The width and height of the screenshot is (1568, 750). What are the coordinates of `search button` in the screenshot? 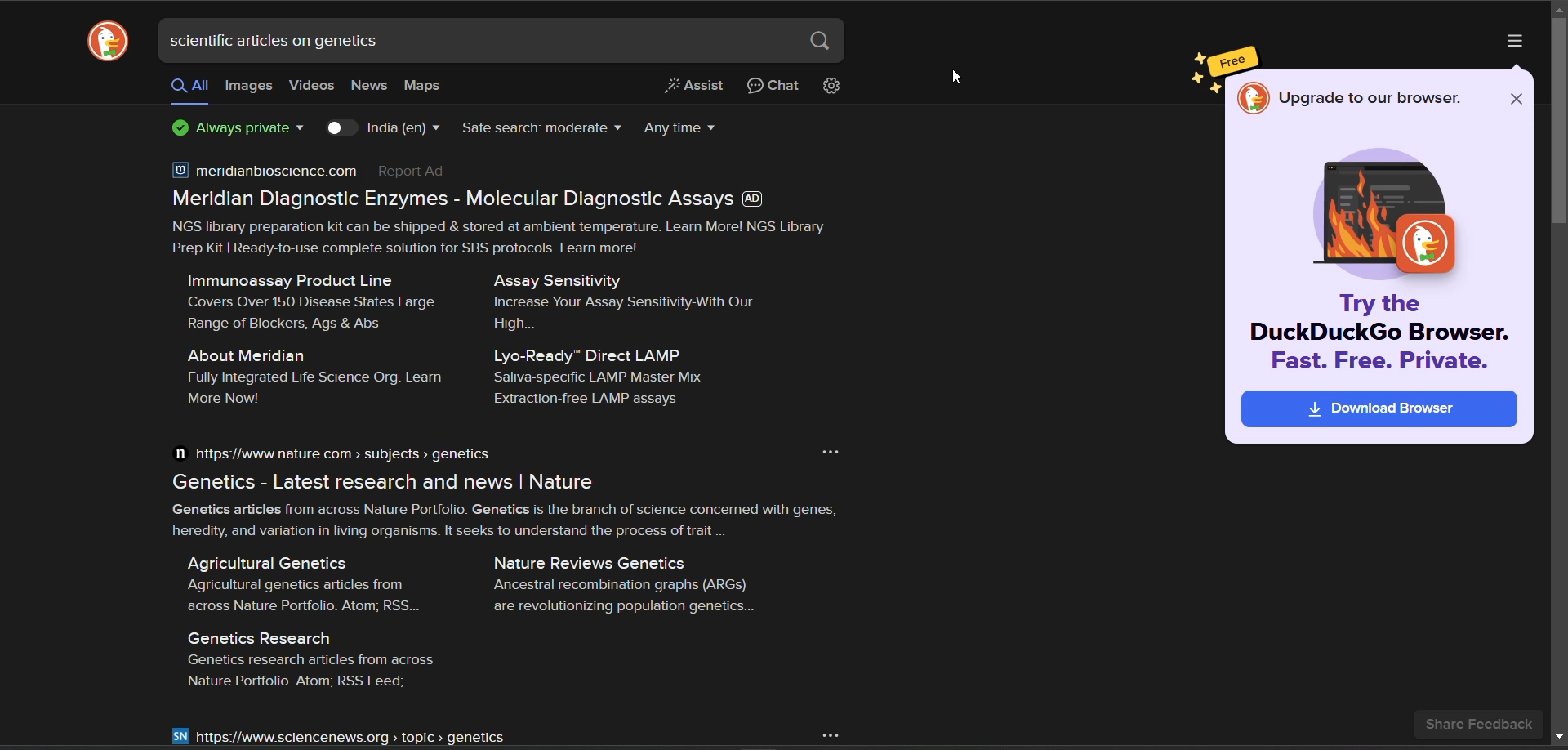 It's located at (821, 44).